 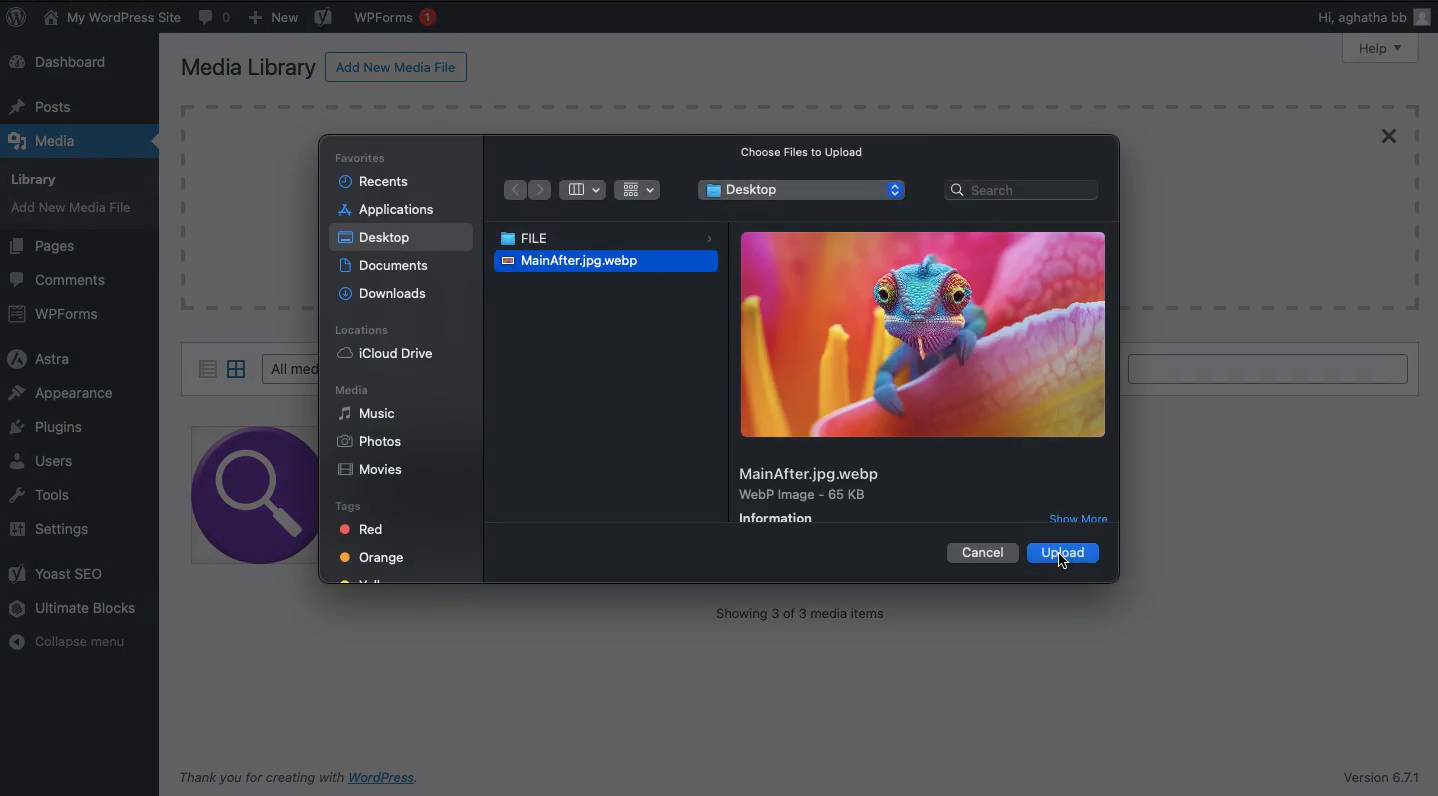 What do you see at coordinates (385, 294) in the screenshot?
I see `Downloads` at bounding box center [385, 294].